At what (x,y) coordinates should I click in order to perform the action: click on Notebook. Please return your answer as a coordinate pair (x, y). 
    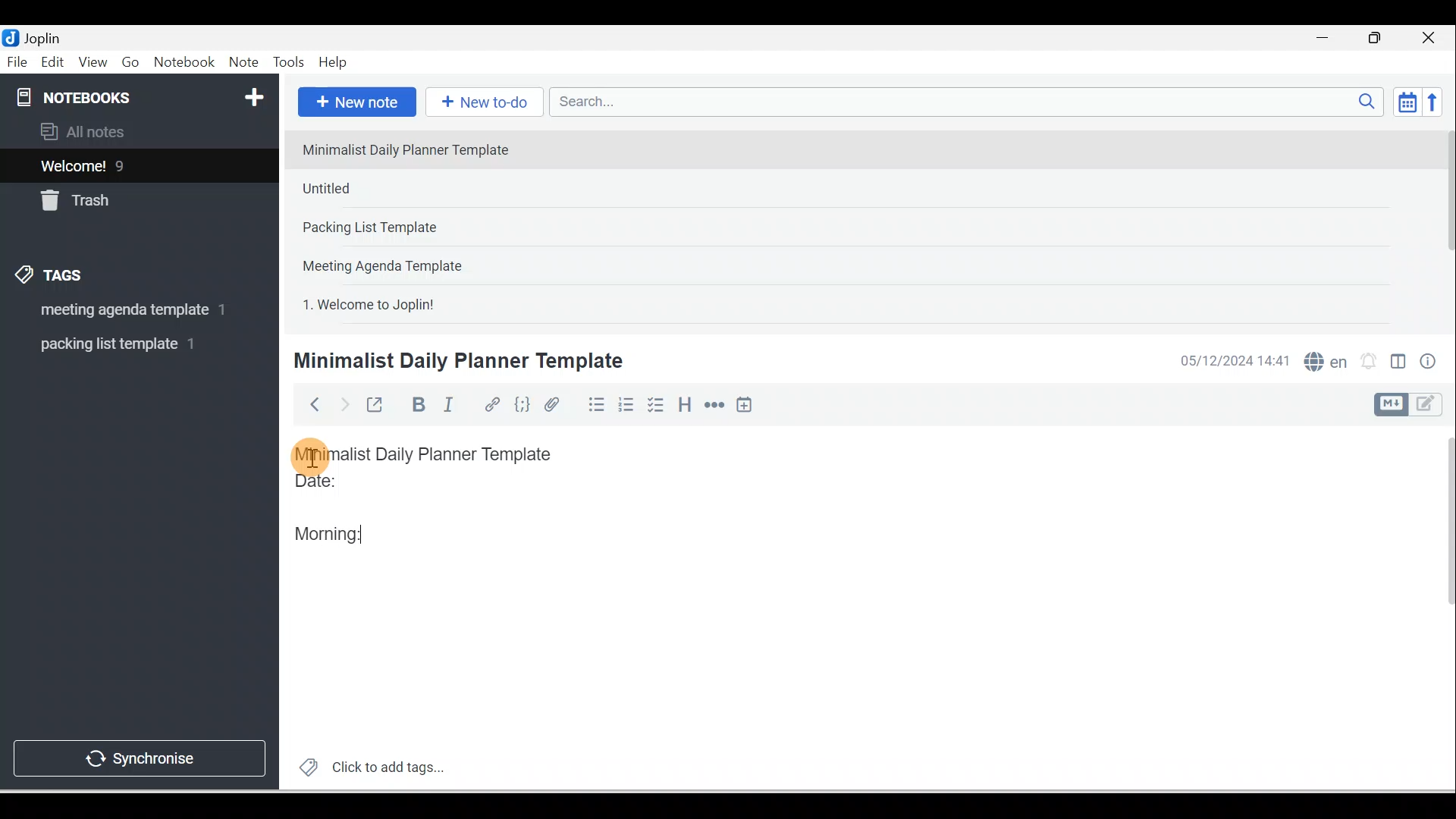
    Looking at the image, I should click on (184, 63).